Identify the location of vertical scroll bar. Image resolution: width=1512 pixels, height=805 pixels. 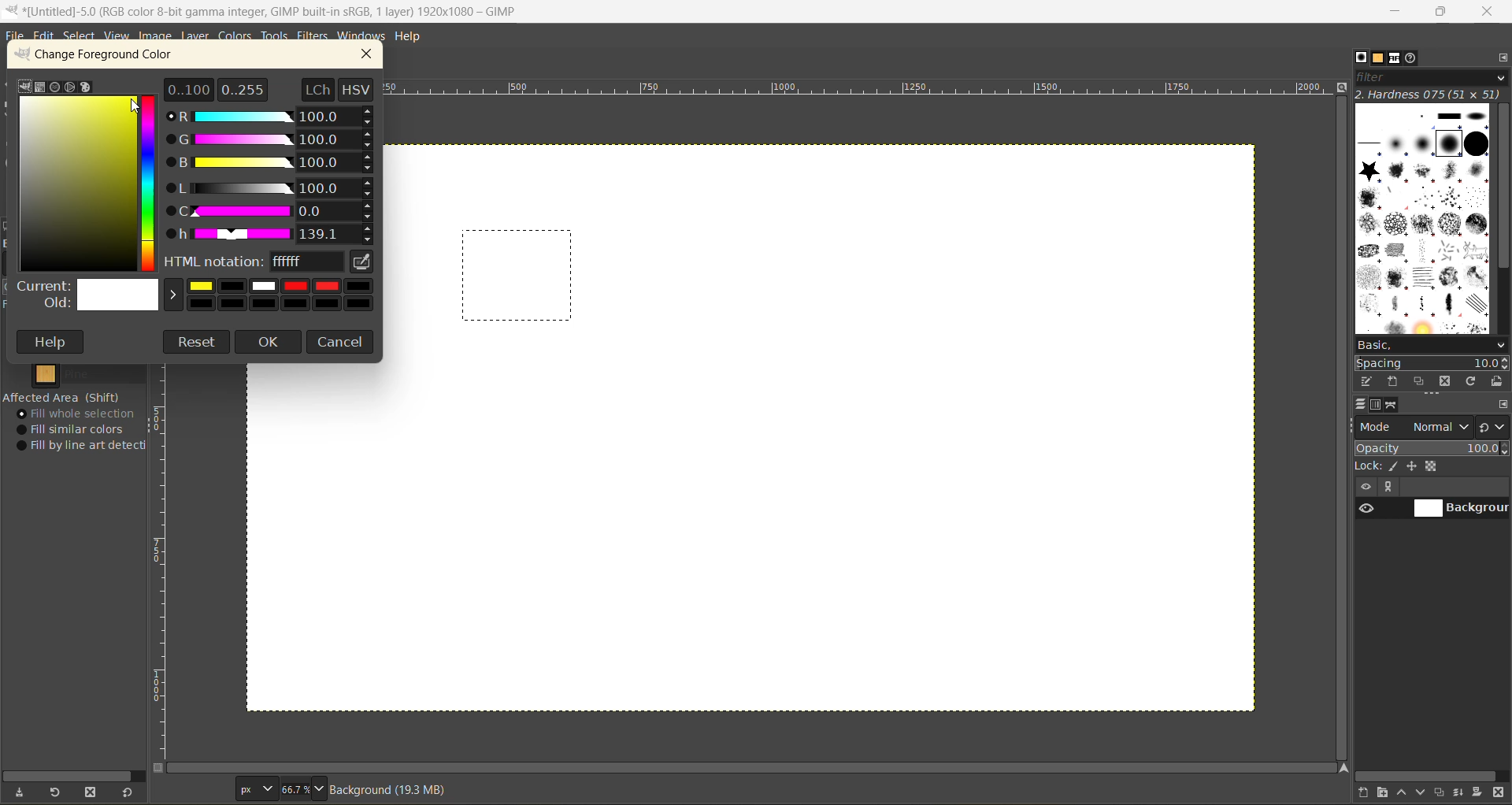
(1340, 429).